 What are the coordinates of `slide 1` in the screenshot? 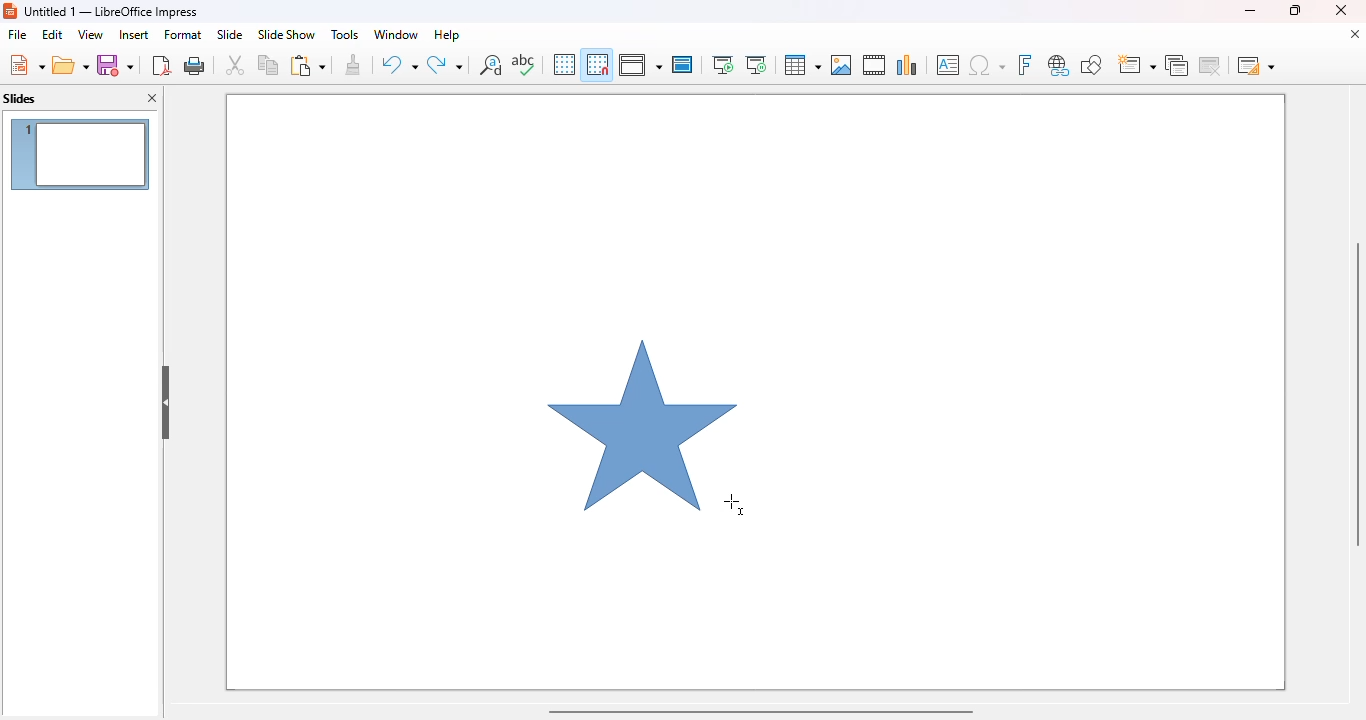 It's located at (80, 154).